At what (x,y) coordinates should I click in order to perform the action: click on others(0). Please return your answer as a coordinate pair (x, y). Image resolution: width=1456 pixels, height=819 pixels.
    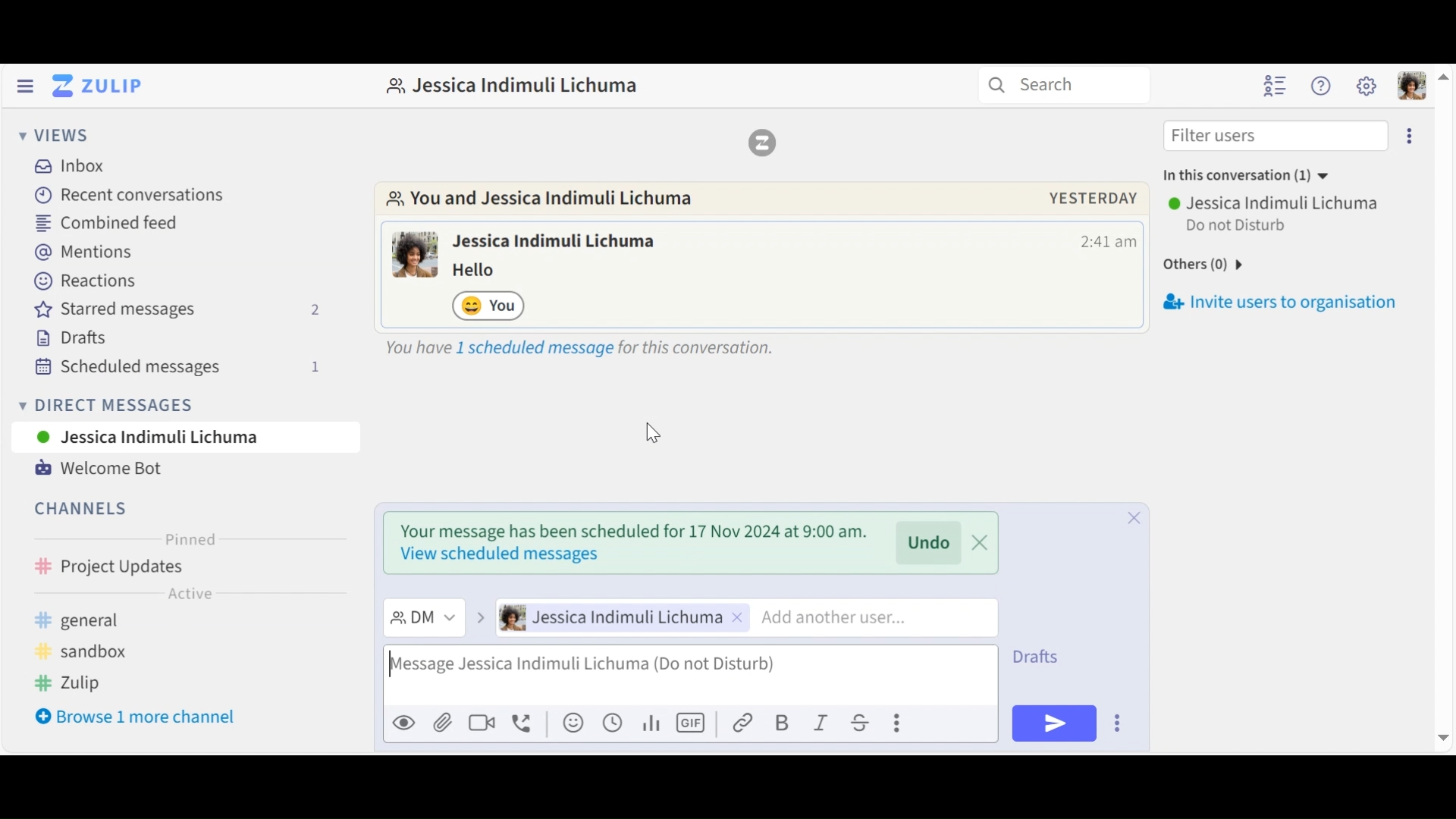
    Looking at the image, I should click on (1229, 262).